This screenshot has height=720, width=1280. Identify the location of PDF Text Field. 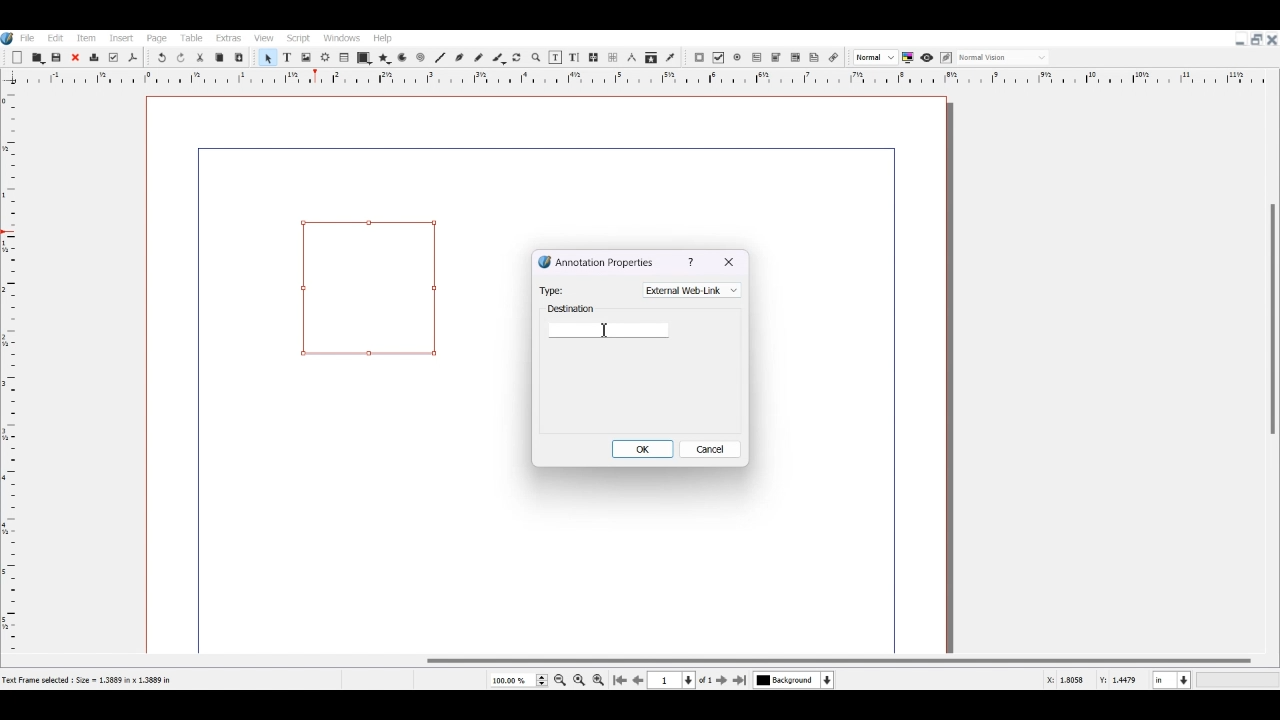
(757, 58).